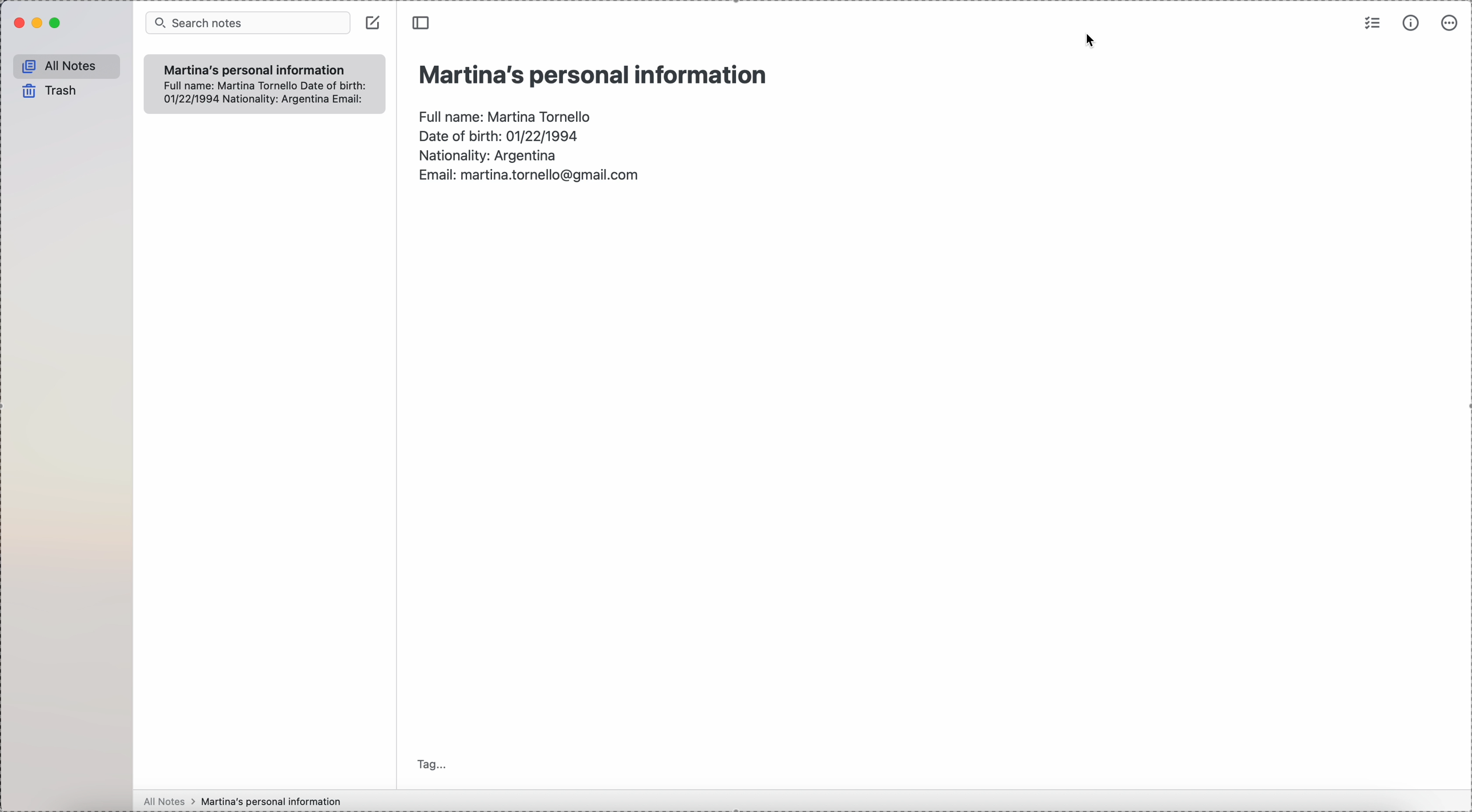  I want to click on toggle sidebar, so click(419, 23).